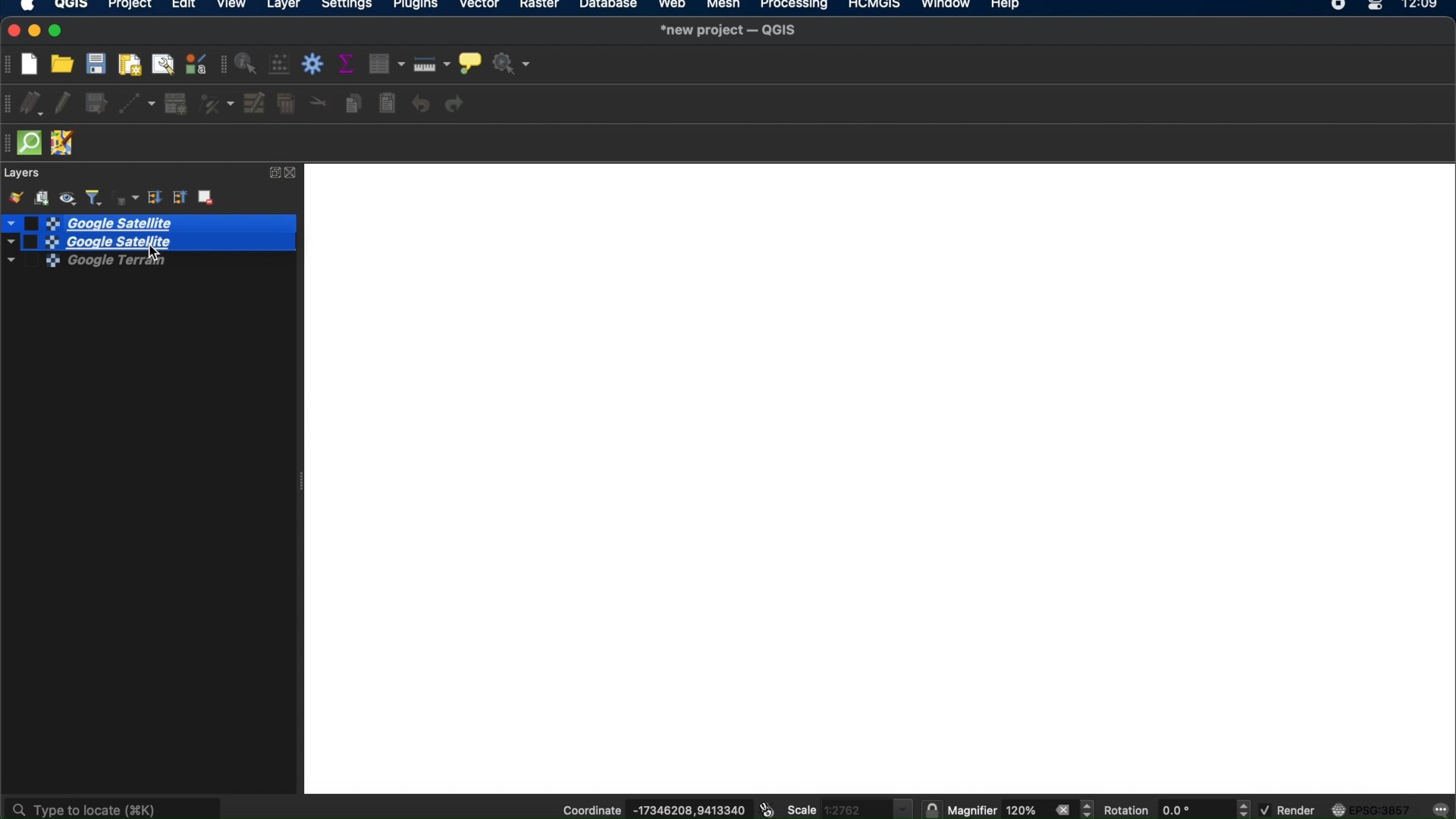 This screenshot has height=819, width=1456. I want to click on processing, so click(795, 6).